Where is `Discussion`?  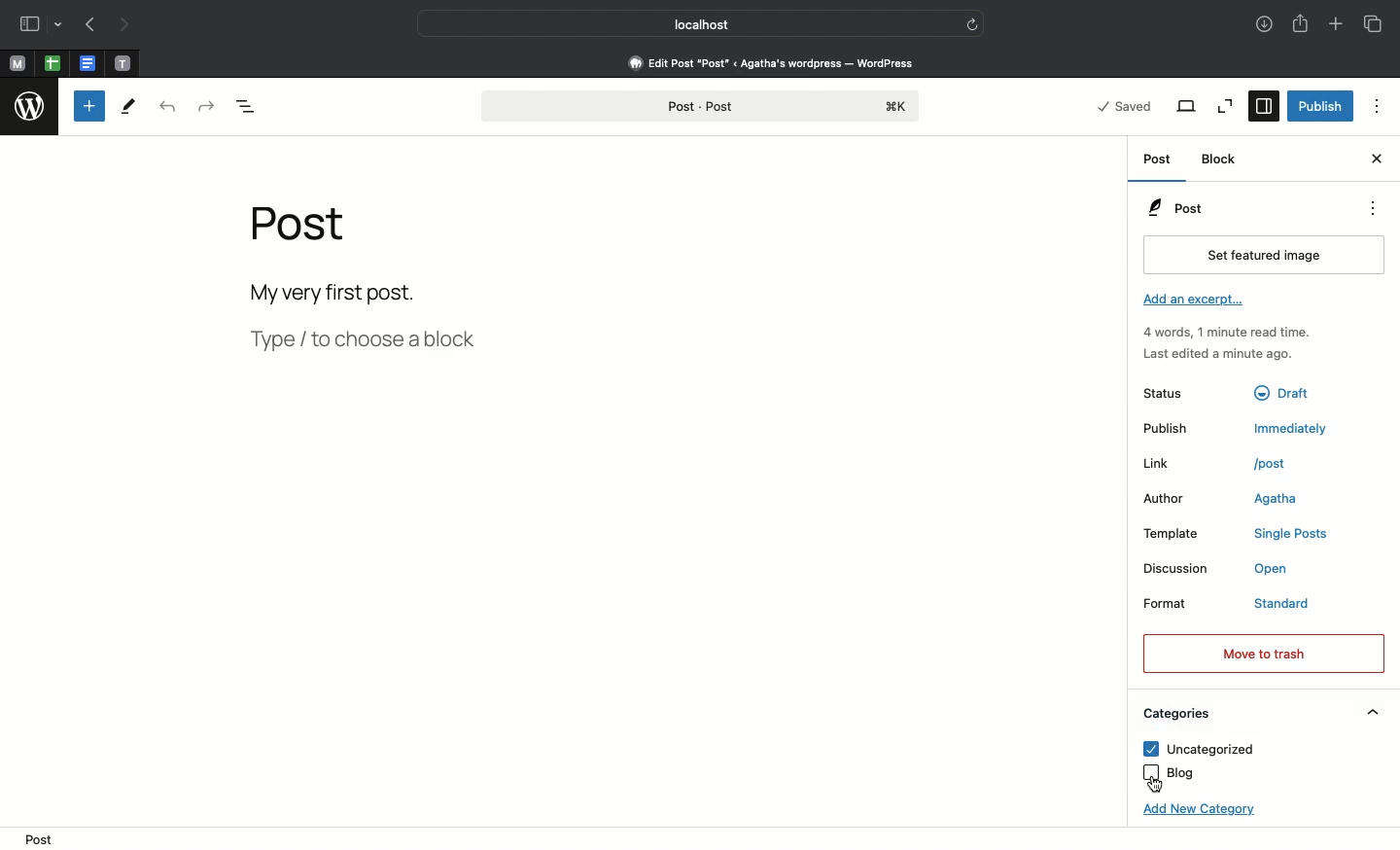 Discussion is located at coordinates (1178, 569).